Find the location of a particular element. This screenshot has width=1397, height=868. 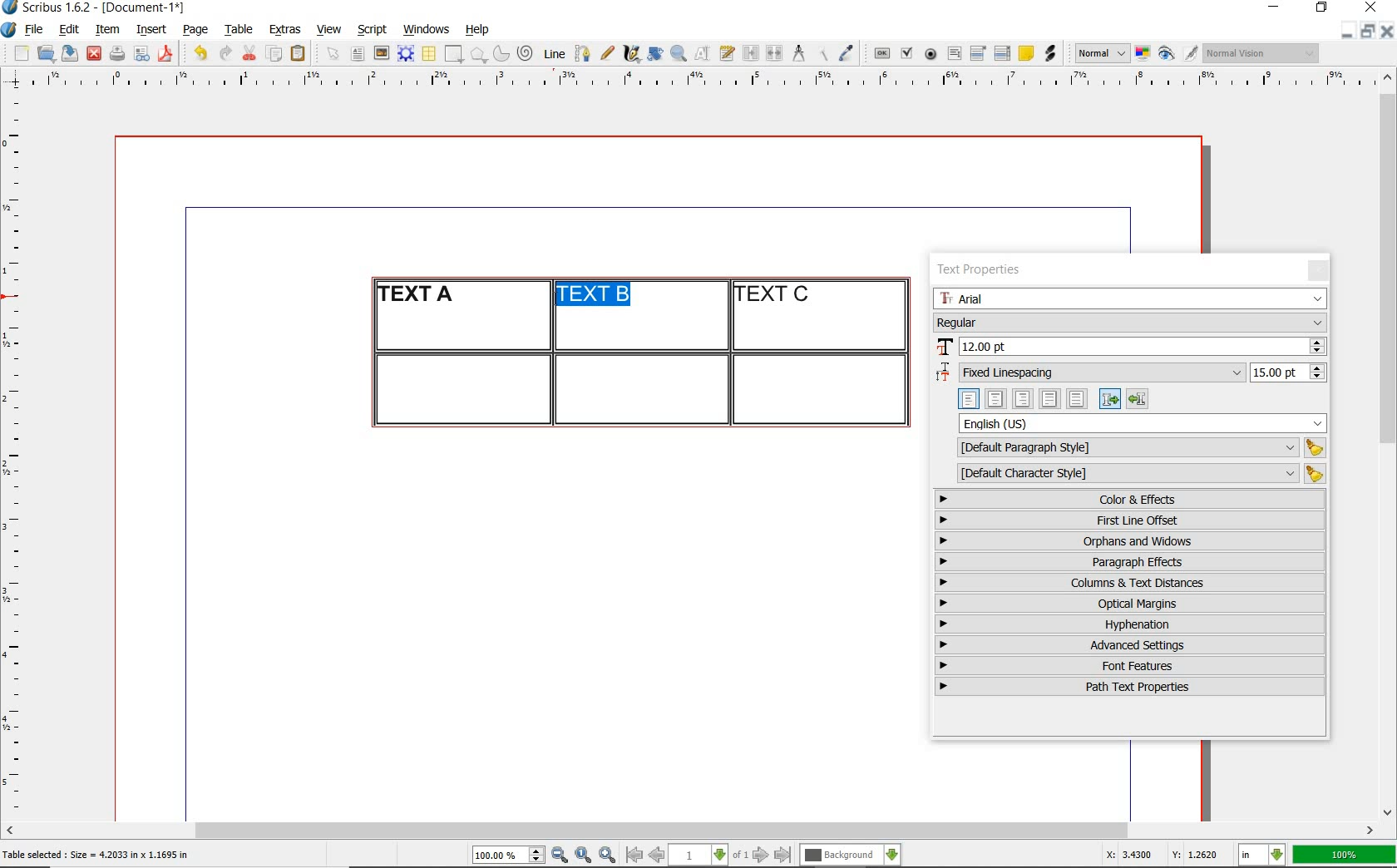

minimize is located at coordinates (1276, 8).